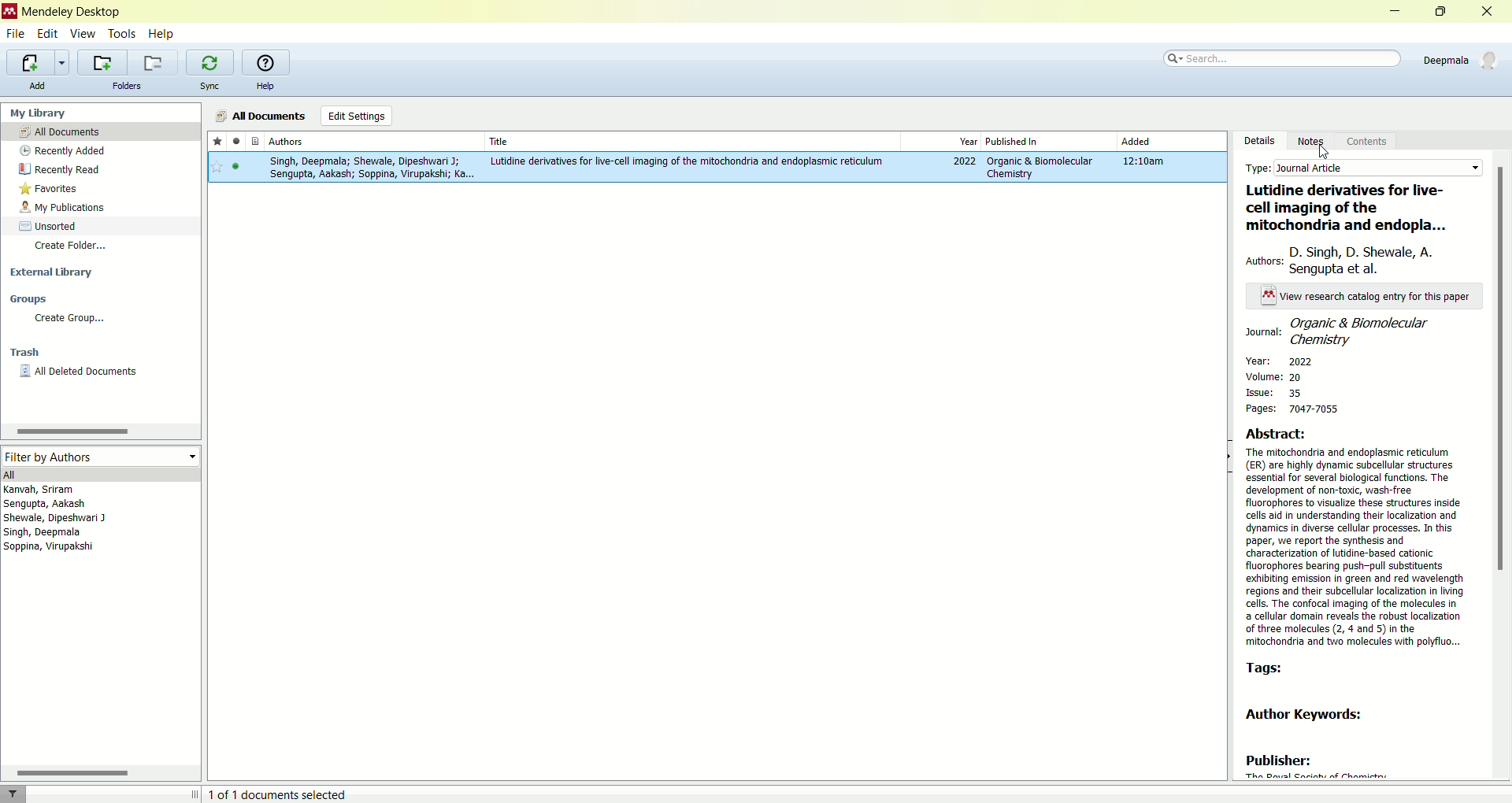 The image size is (1512, 803). Describe the element at coordinates (1280, 361) in the screenshot. I see `year : 2022` at that location.